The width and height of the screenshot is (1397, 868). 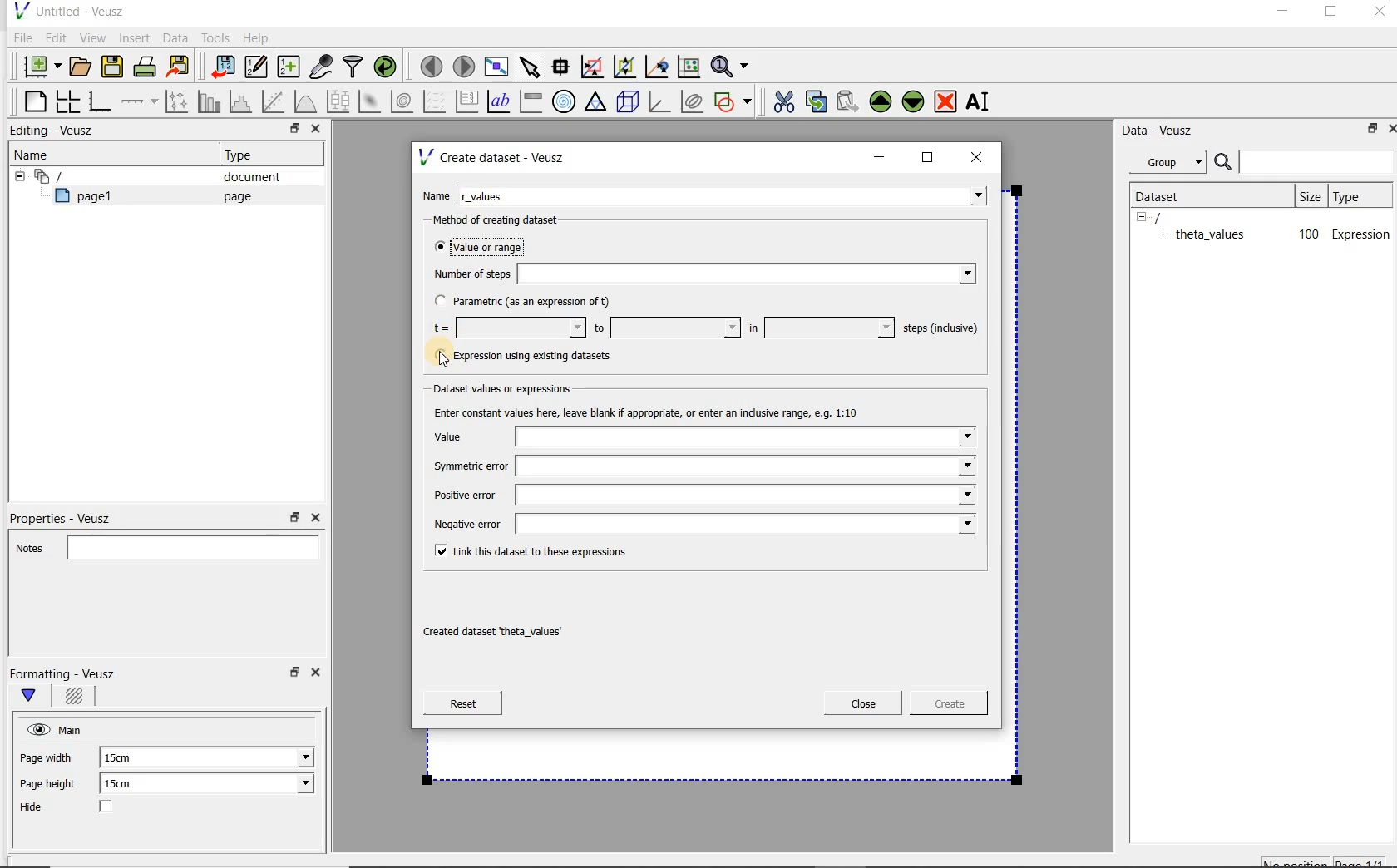 I want to click on add an axis to a plot, so click(x=141, y=101).